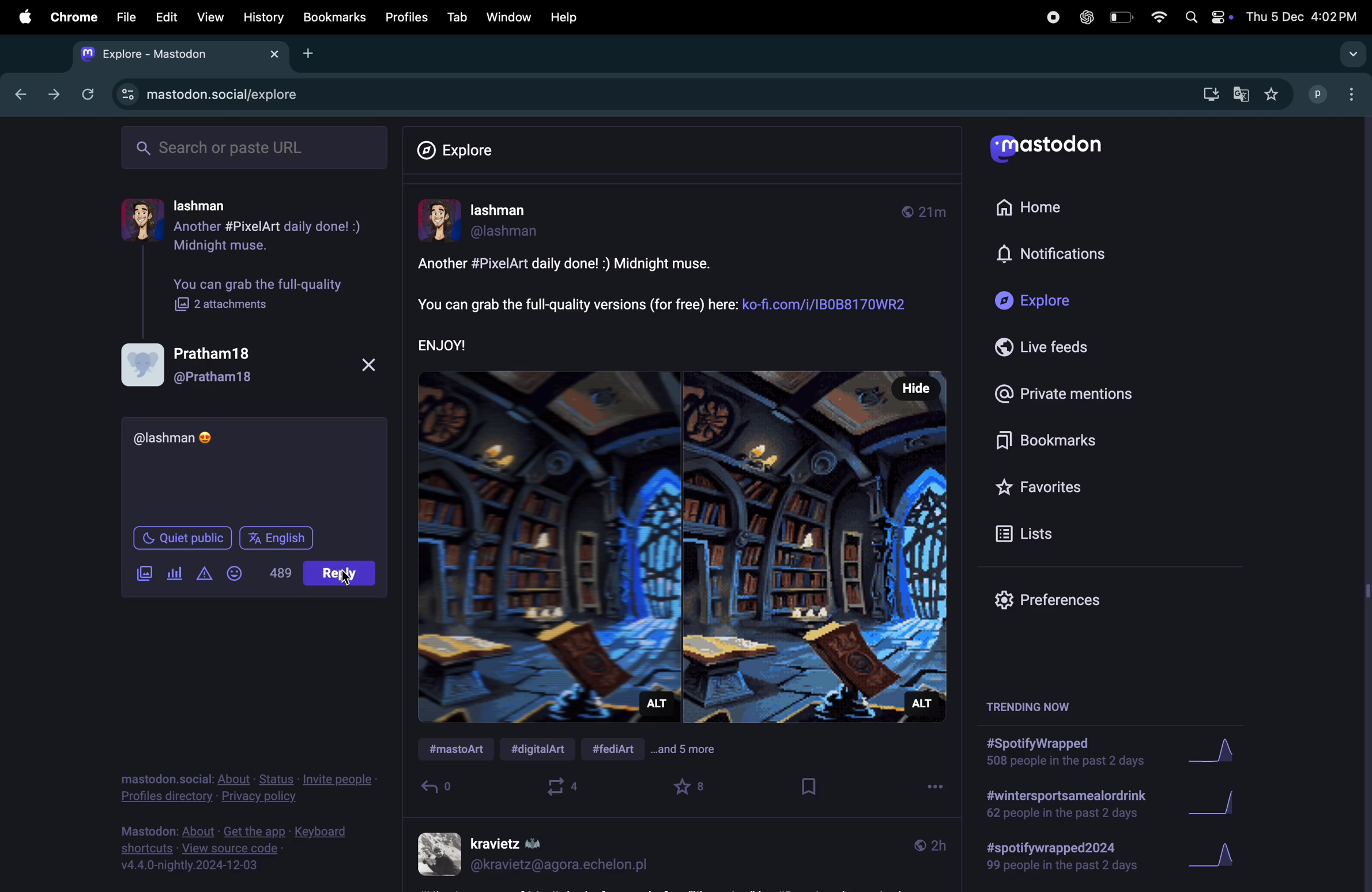  Describe the element at coordinates (929, 212) in the screenshot. I see `time` at that location.